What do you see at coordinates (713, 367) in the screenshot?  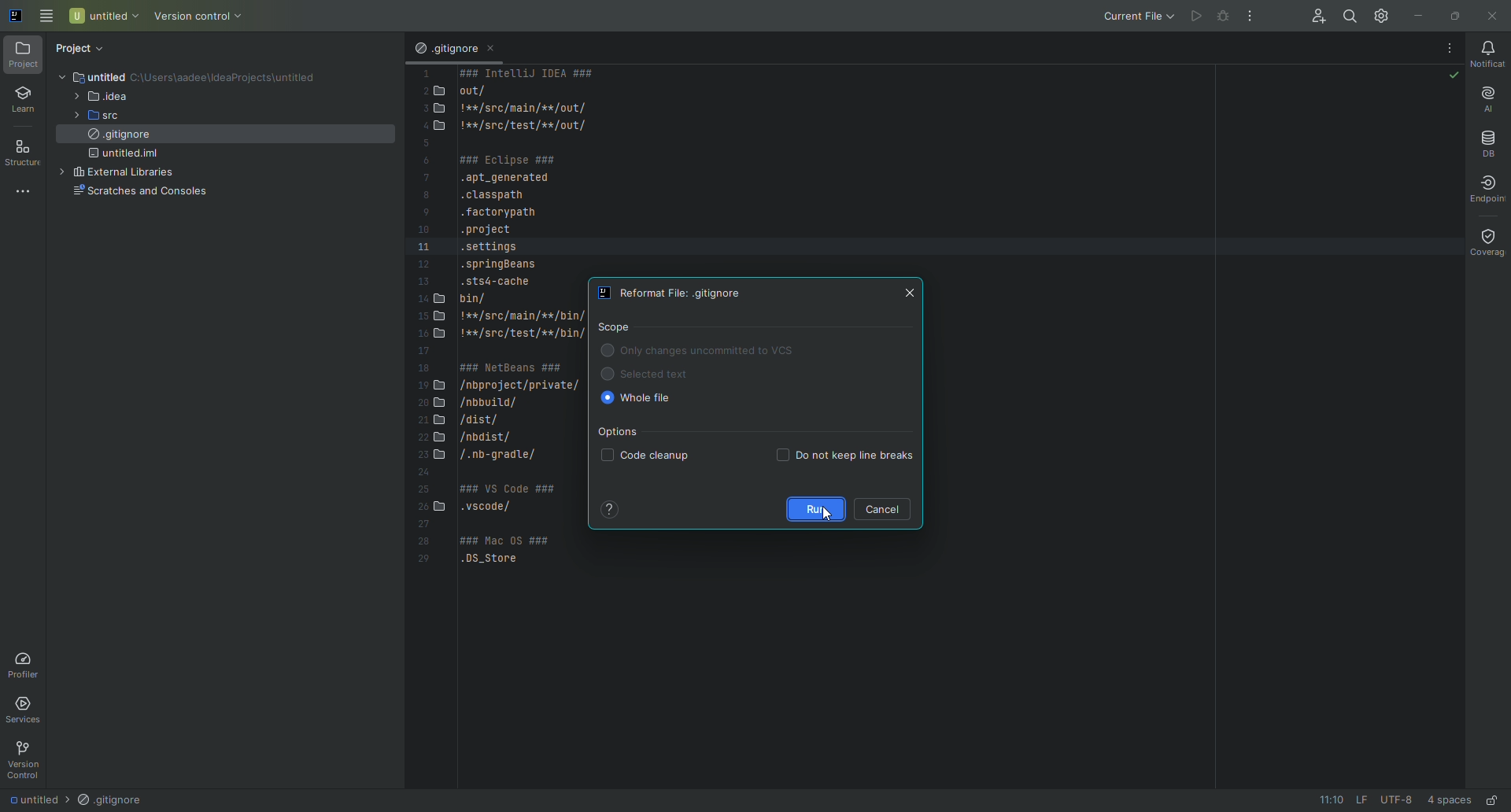 I see `Scope: Whole file (checked)` at bounding box center [713, 367].